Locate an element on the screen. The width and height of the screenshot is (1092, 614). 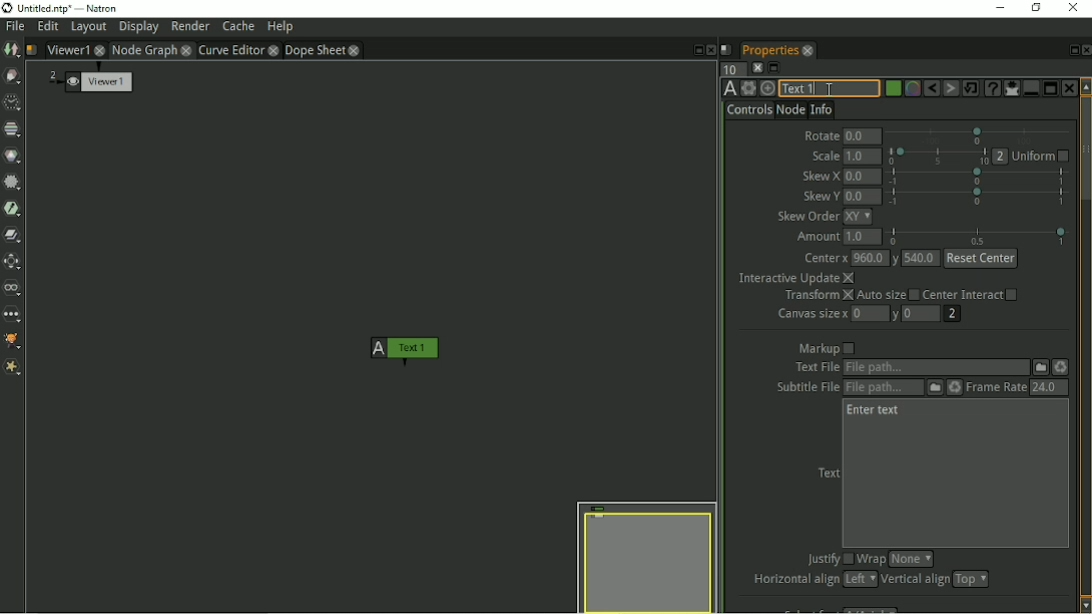
1.0 is located at coordinates (864, 237).